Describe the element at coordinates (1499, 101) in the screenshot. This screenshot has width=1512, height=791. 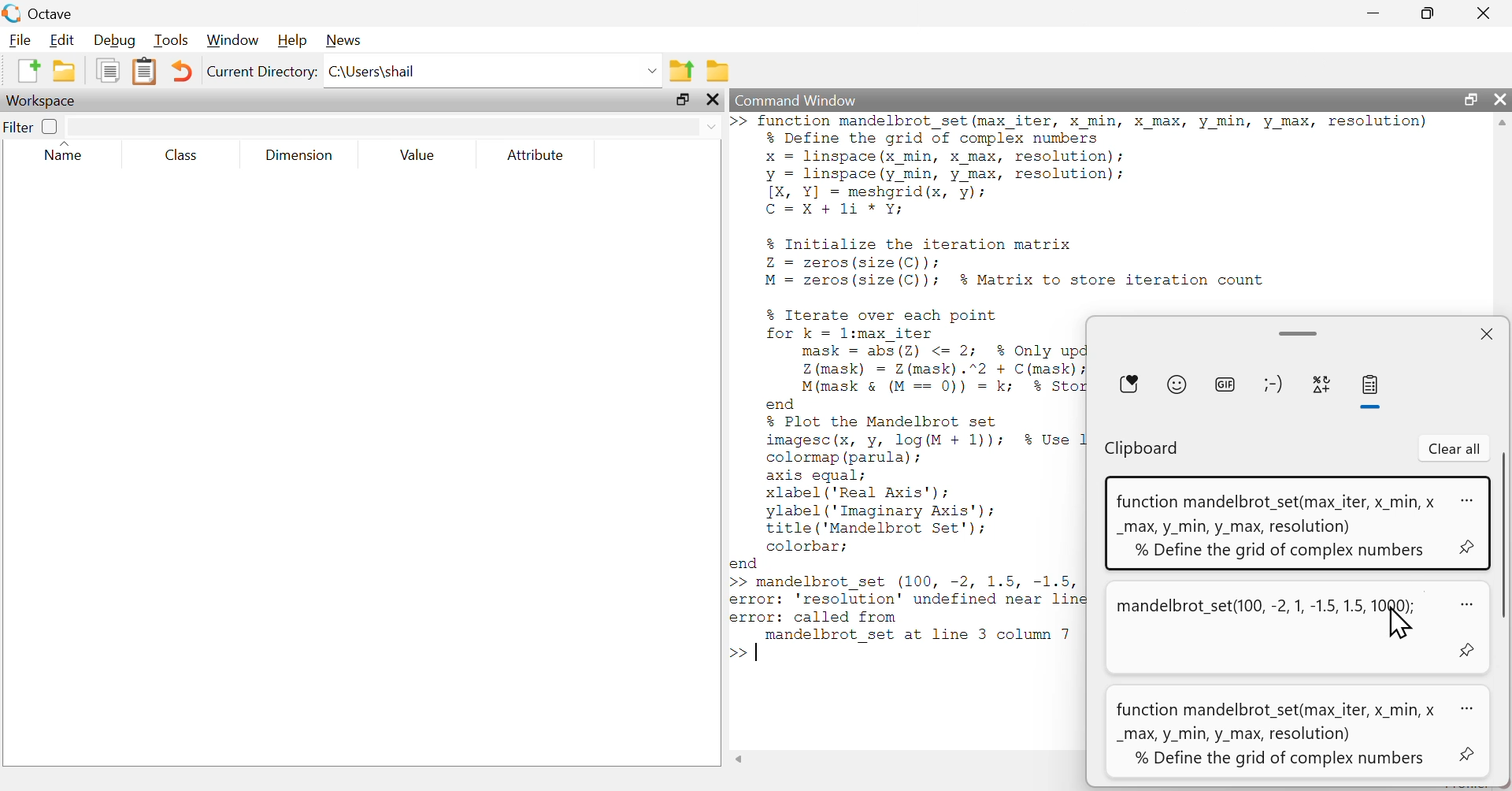
I see `close` at that location.